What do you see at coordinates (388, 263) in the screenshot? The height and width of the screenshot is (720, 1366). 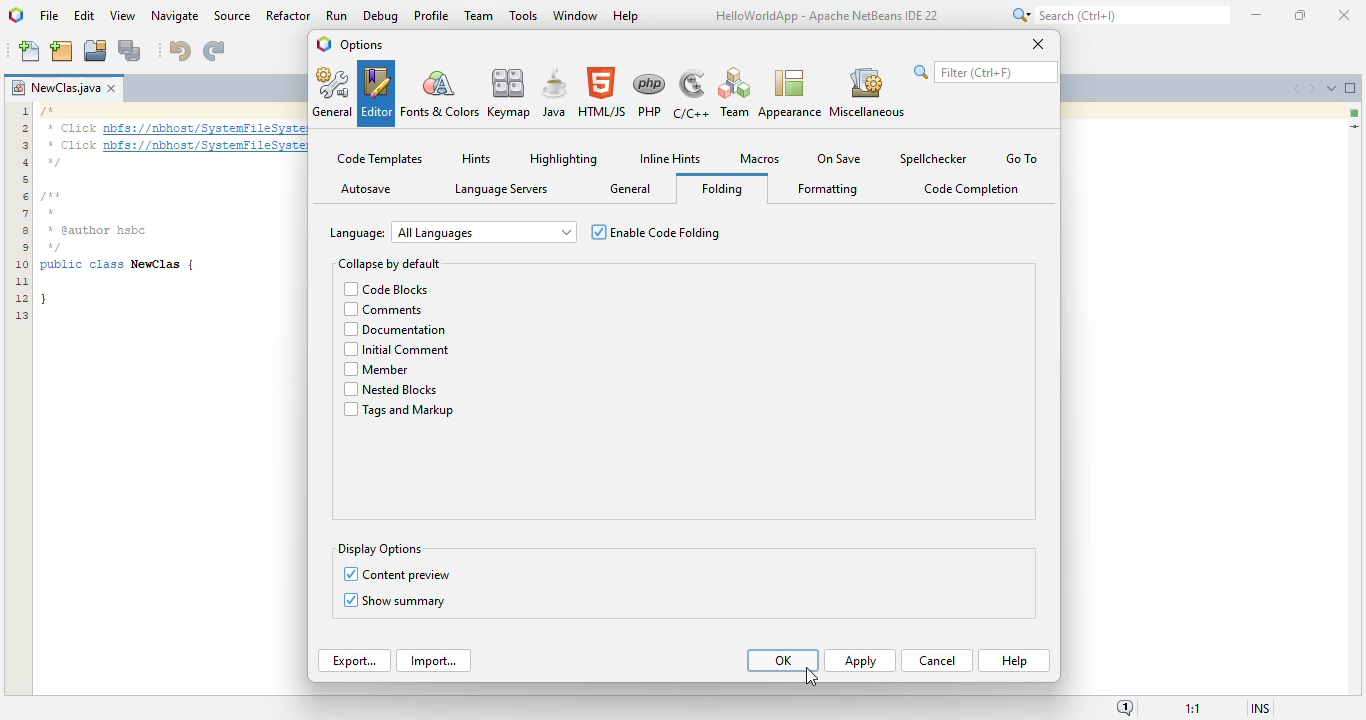 I see `collapse by default` at bounding box center [388, 263].